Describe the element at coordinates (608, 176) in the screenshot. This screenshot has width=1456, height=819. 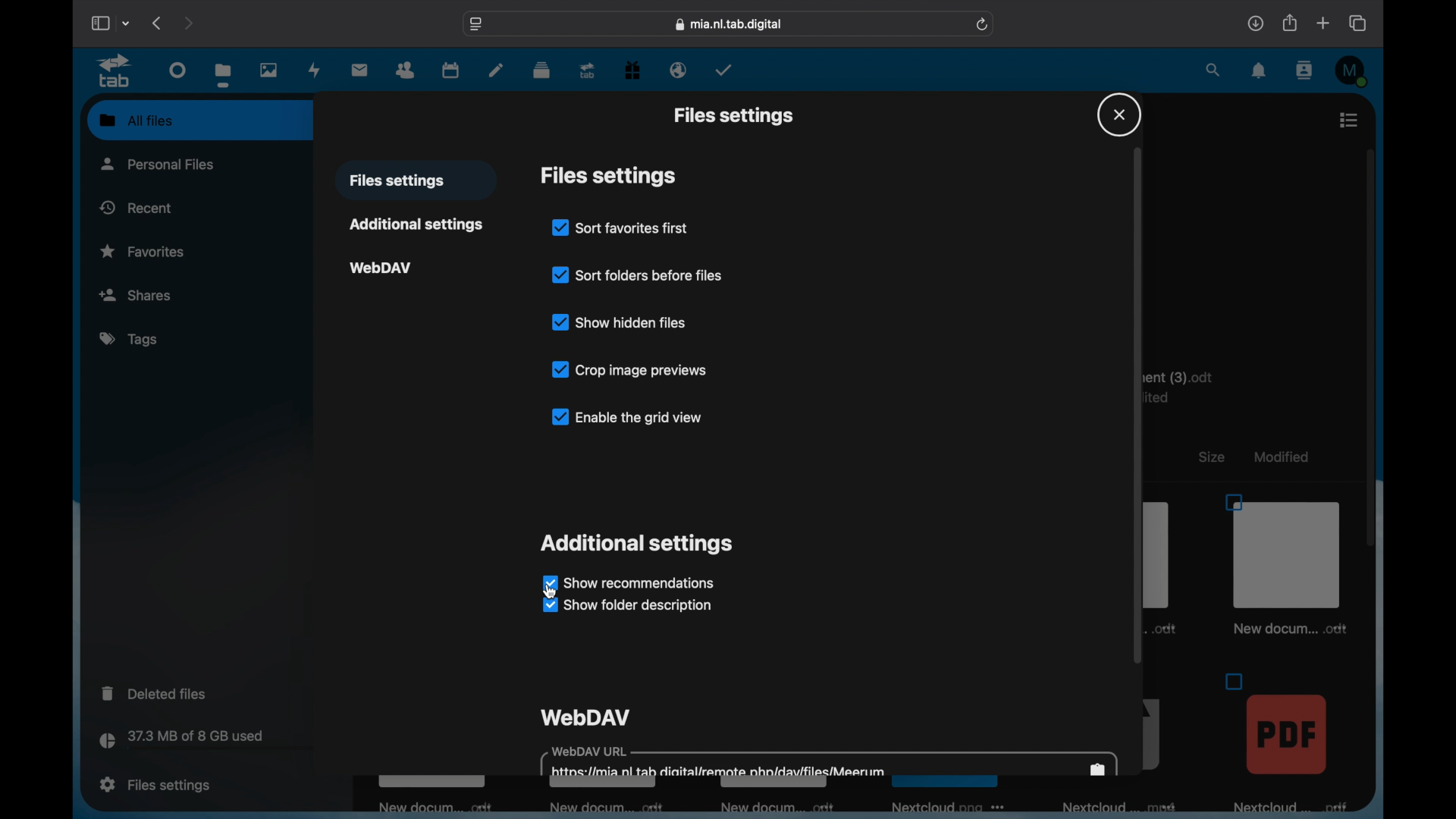
I see `files settings` at that location.